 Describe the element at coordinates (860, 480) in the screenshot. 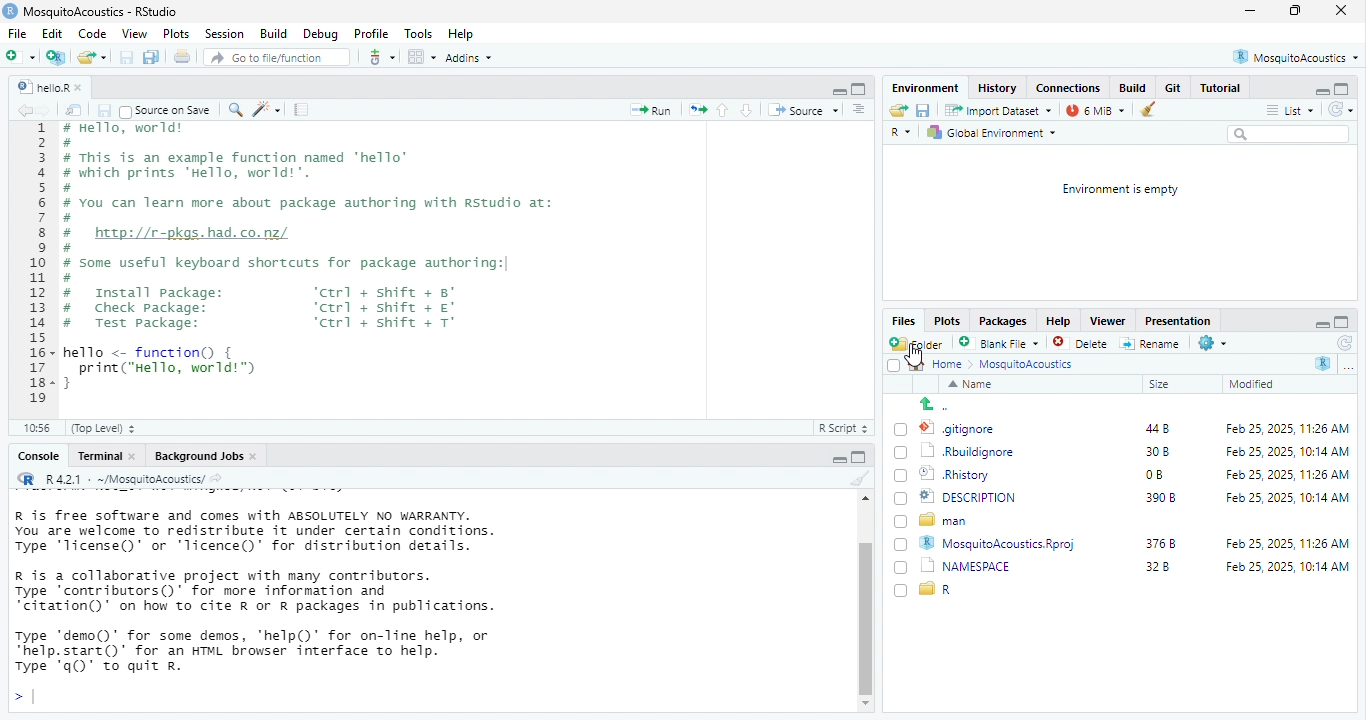

I see `clear console` at that location.